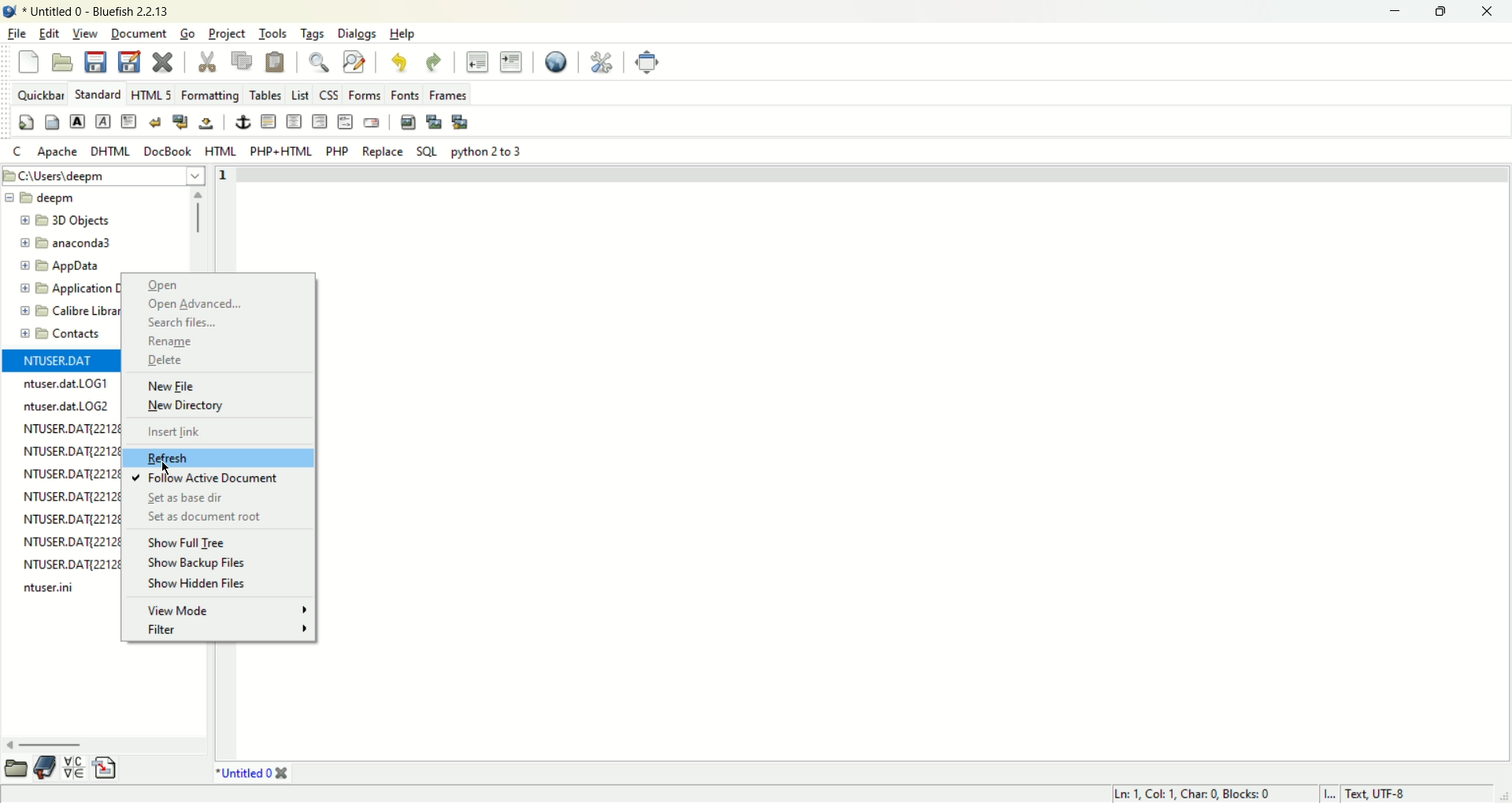 The width and height of the screenshot is (1512, 803). What do you see at coordinates (17, 152) in the screenshot?
I see `c` at bounding box center [17, 152].